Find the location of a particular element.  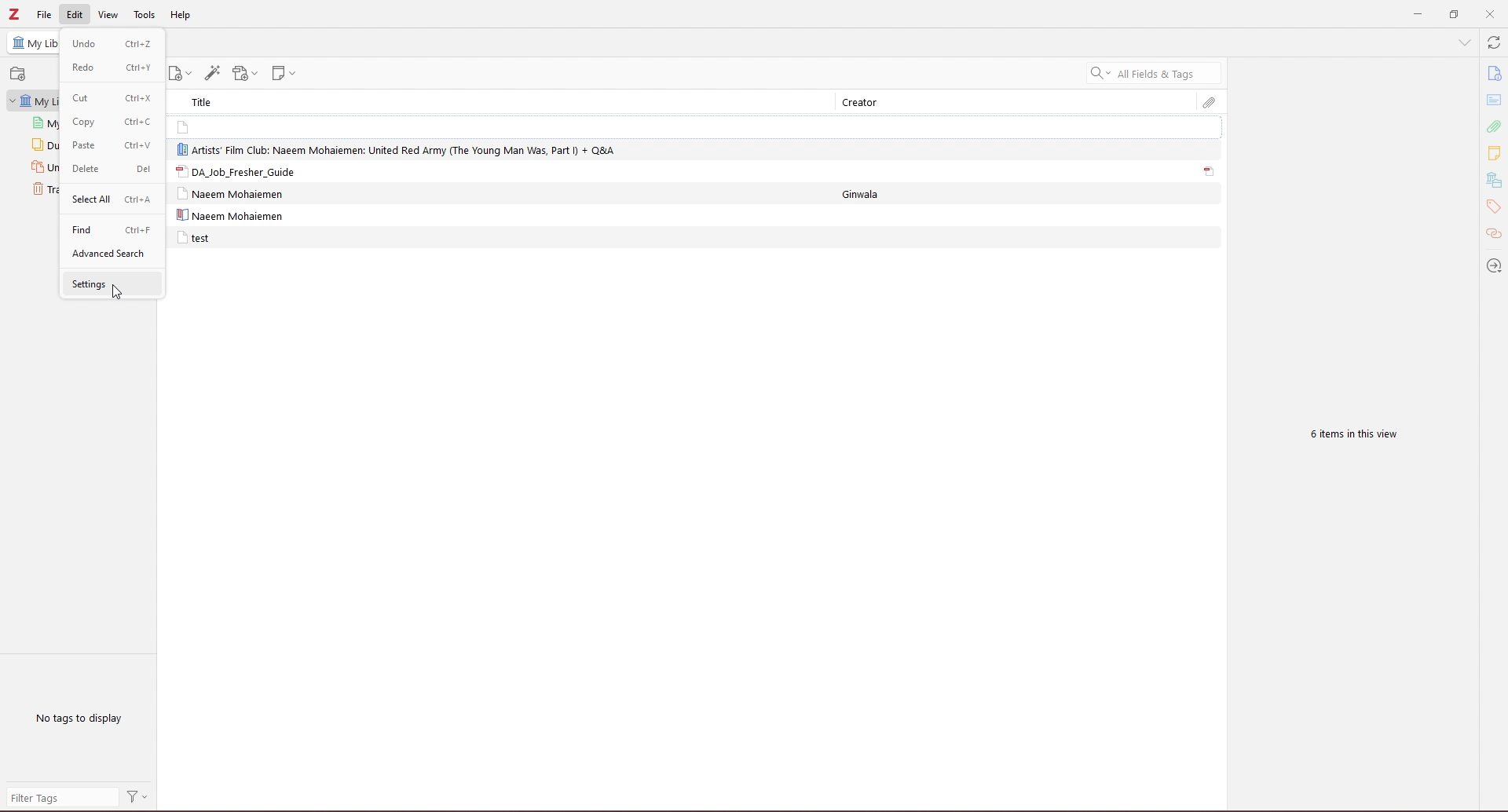

select all is located at coordinates (111, 199).